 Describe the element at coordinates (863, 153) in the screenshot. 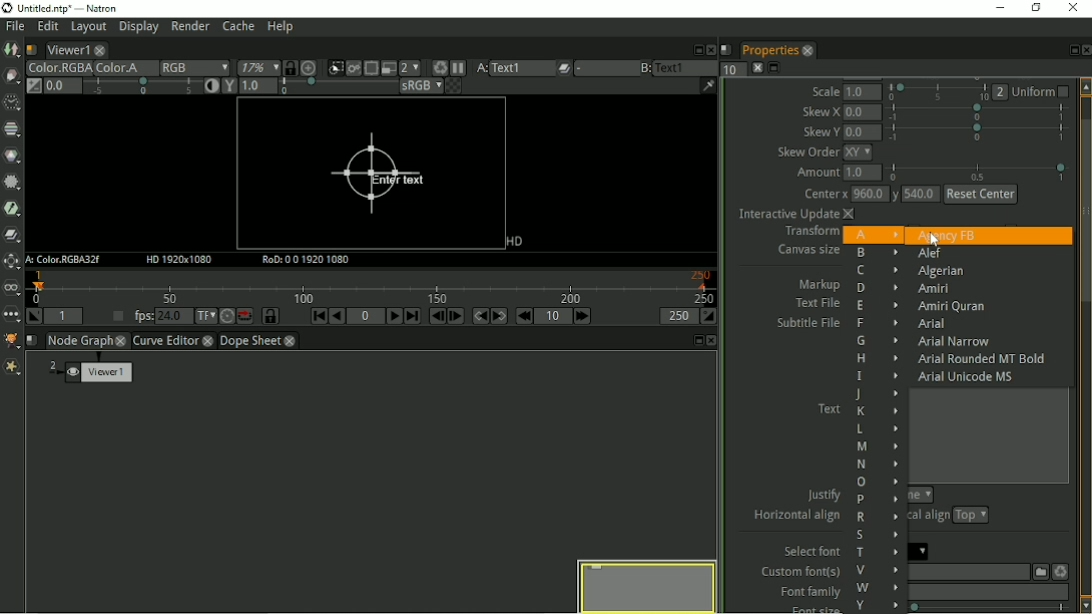

I see `xy` at that location.